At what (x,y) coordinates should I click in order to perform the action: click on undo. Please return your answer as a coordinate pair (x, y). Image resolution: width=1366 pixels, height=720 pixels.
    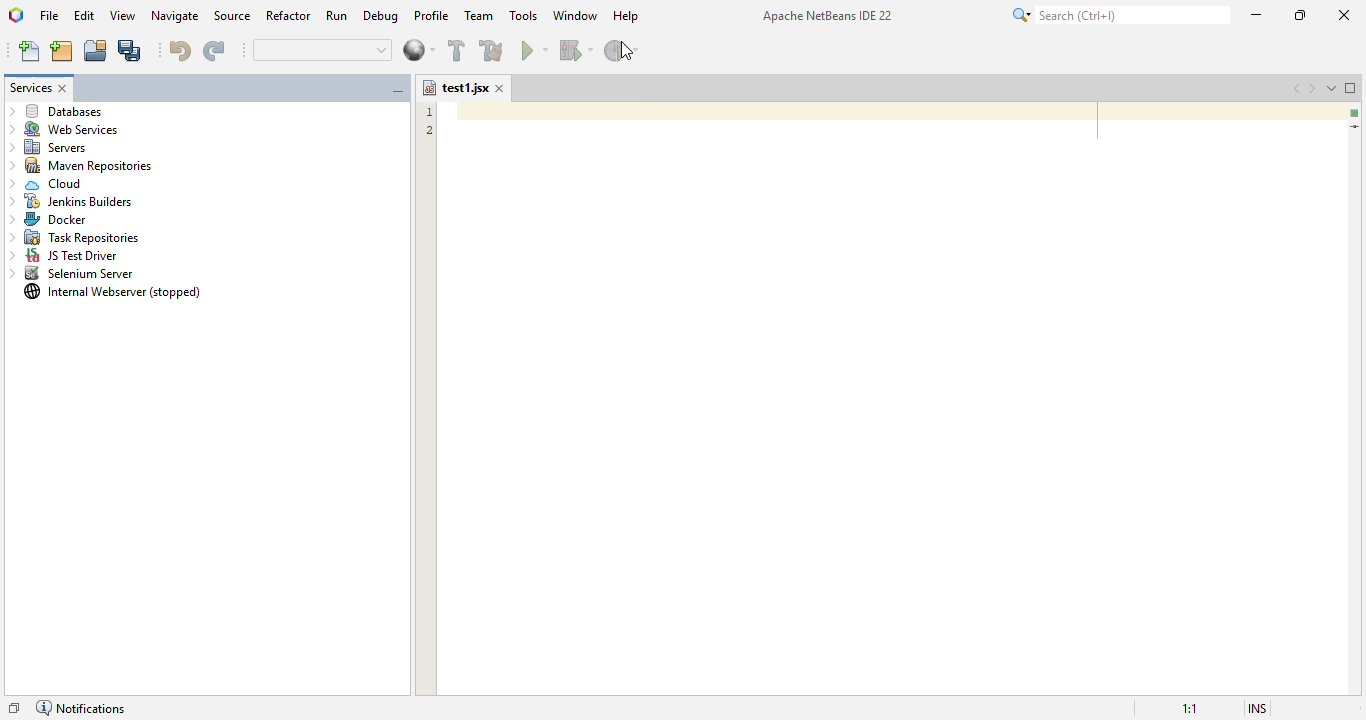
    Looking at the image, I should click on (180, 50).